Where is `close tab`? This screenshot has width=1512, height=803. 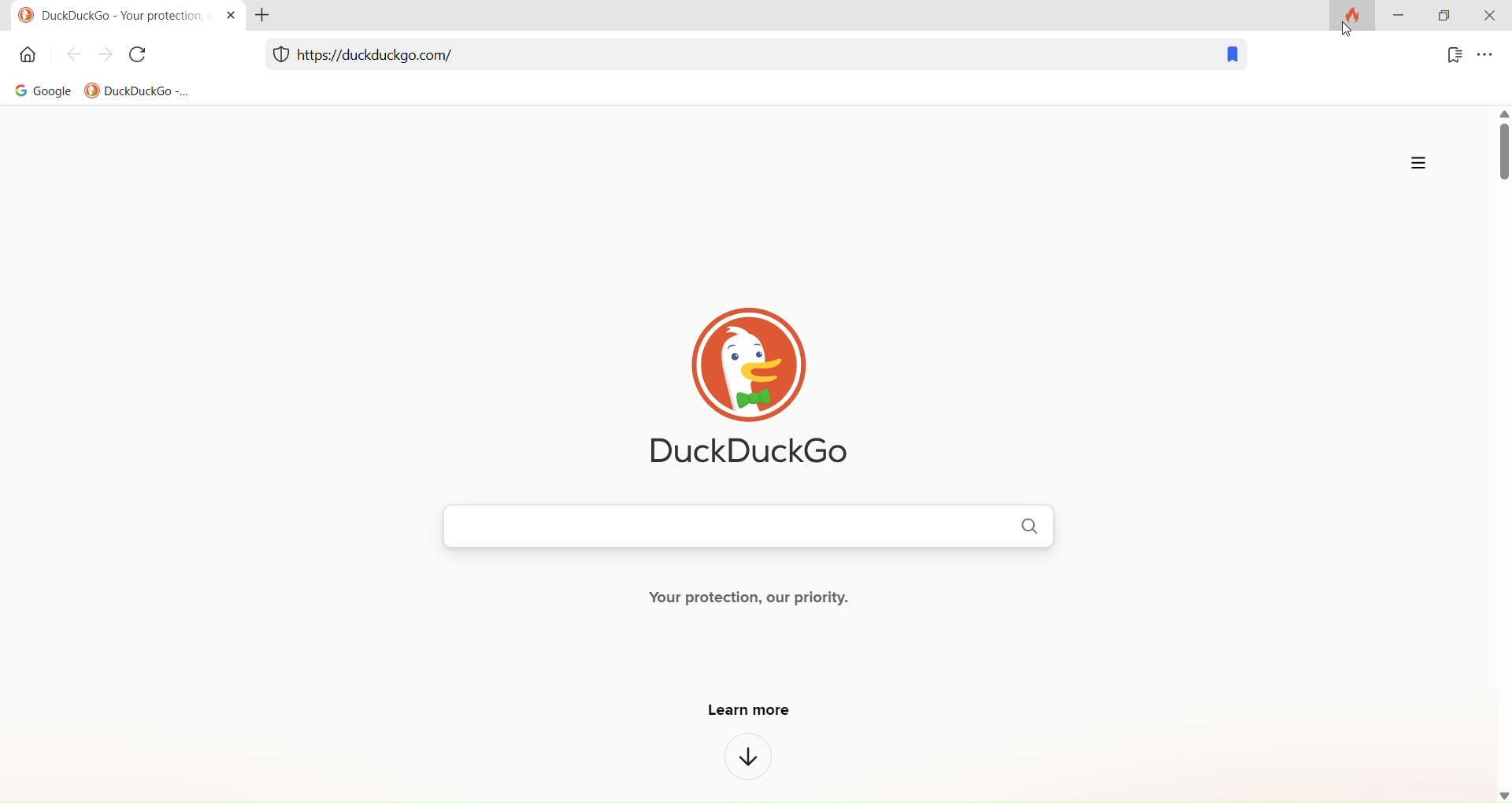
close tab is located at coordinates (226, 18).